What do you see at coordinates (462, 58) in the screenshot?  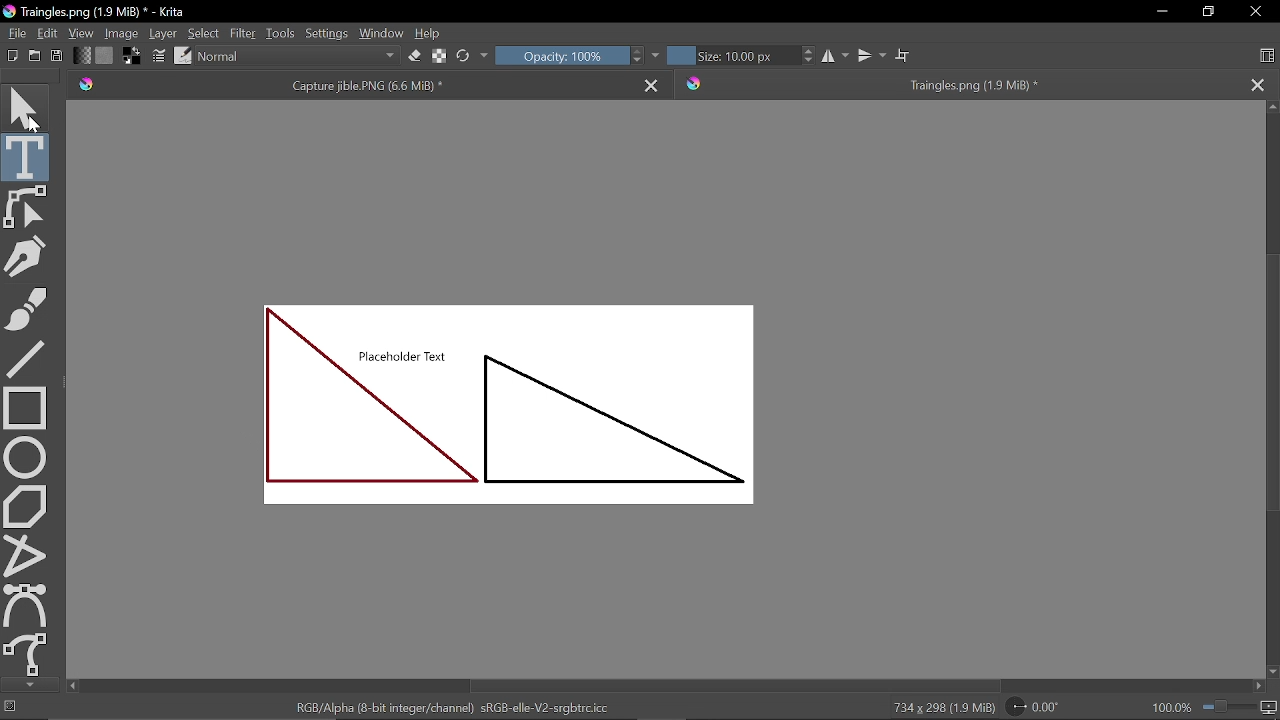 I see `Reload original preset` at bounding box center [462, 58].